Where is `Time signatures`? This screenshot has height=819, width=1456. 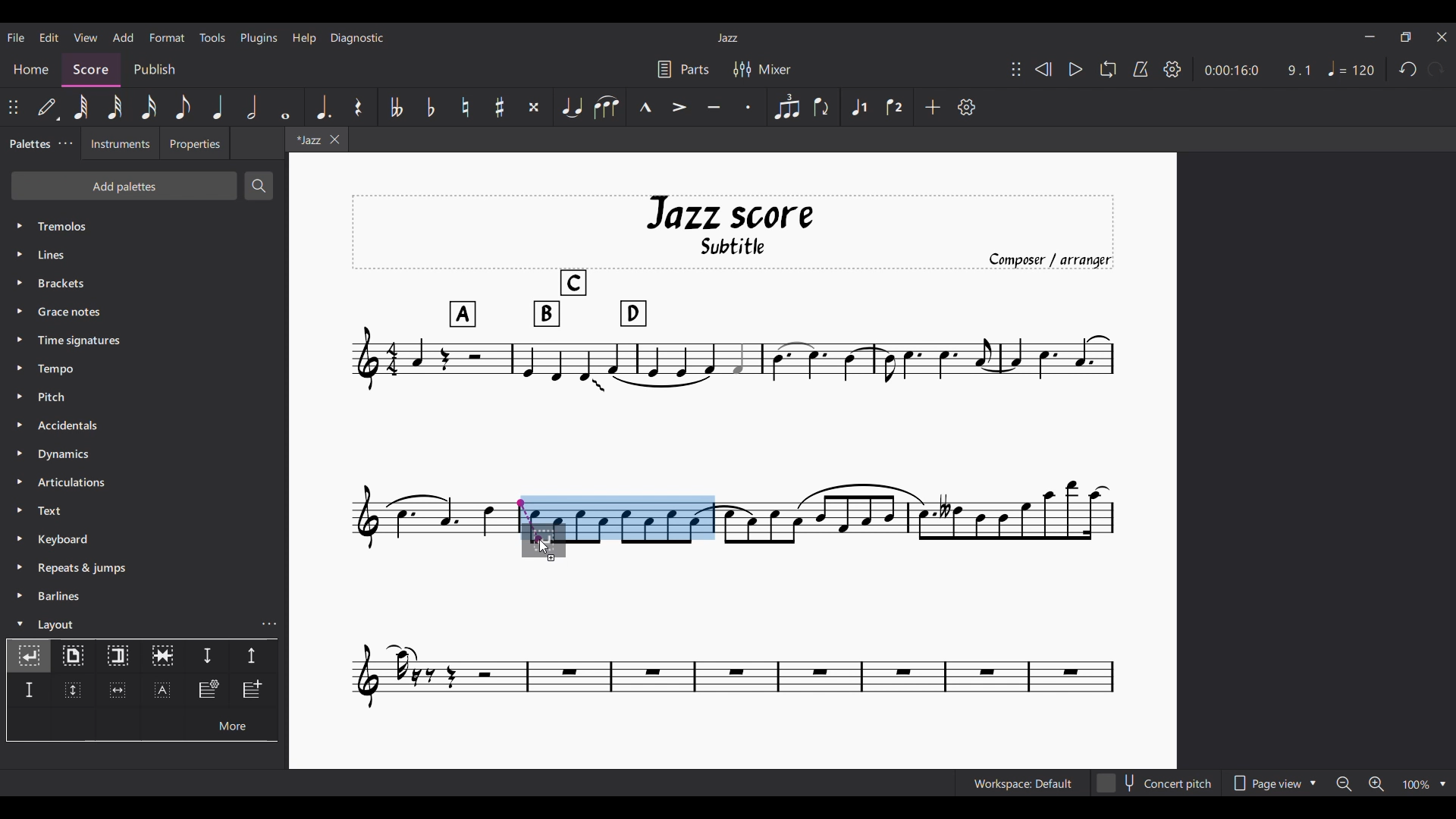
Time signatures is located at coordinates (144, 340).